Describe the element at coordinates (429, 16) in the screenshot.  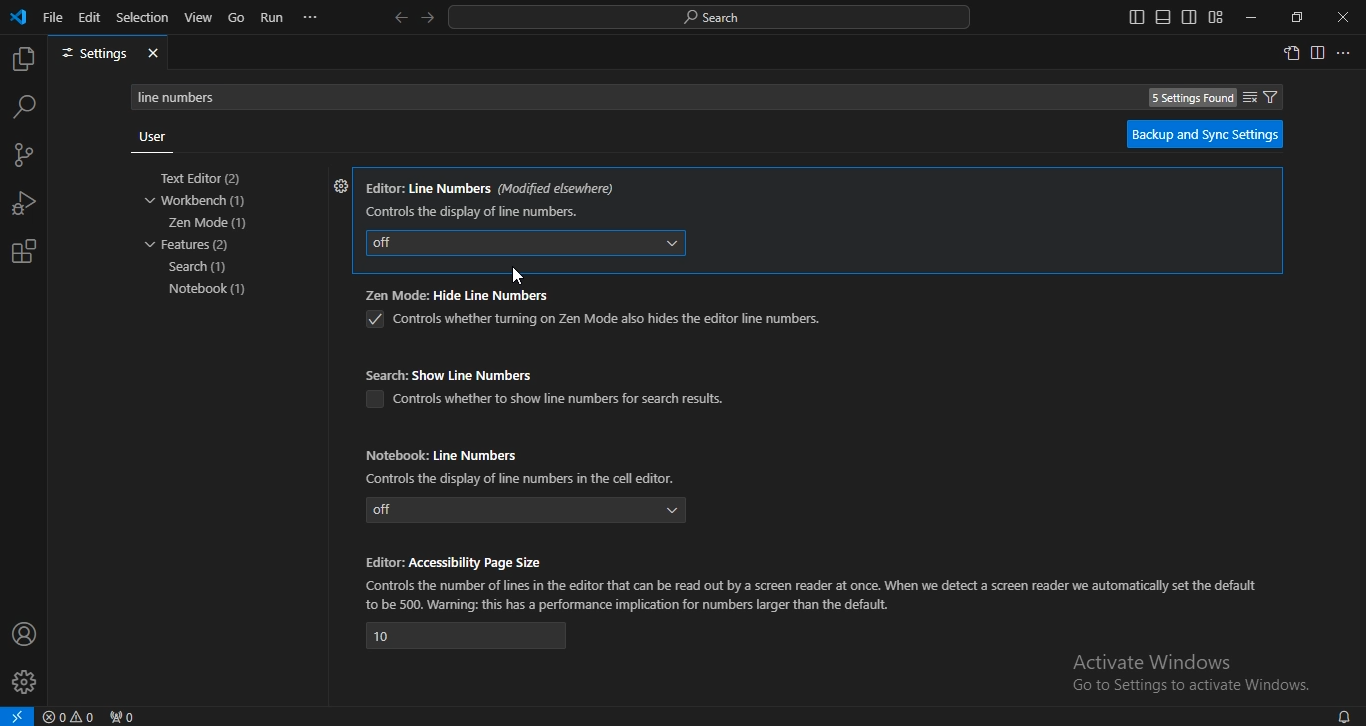
I see `go forward` at that location.